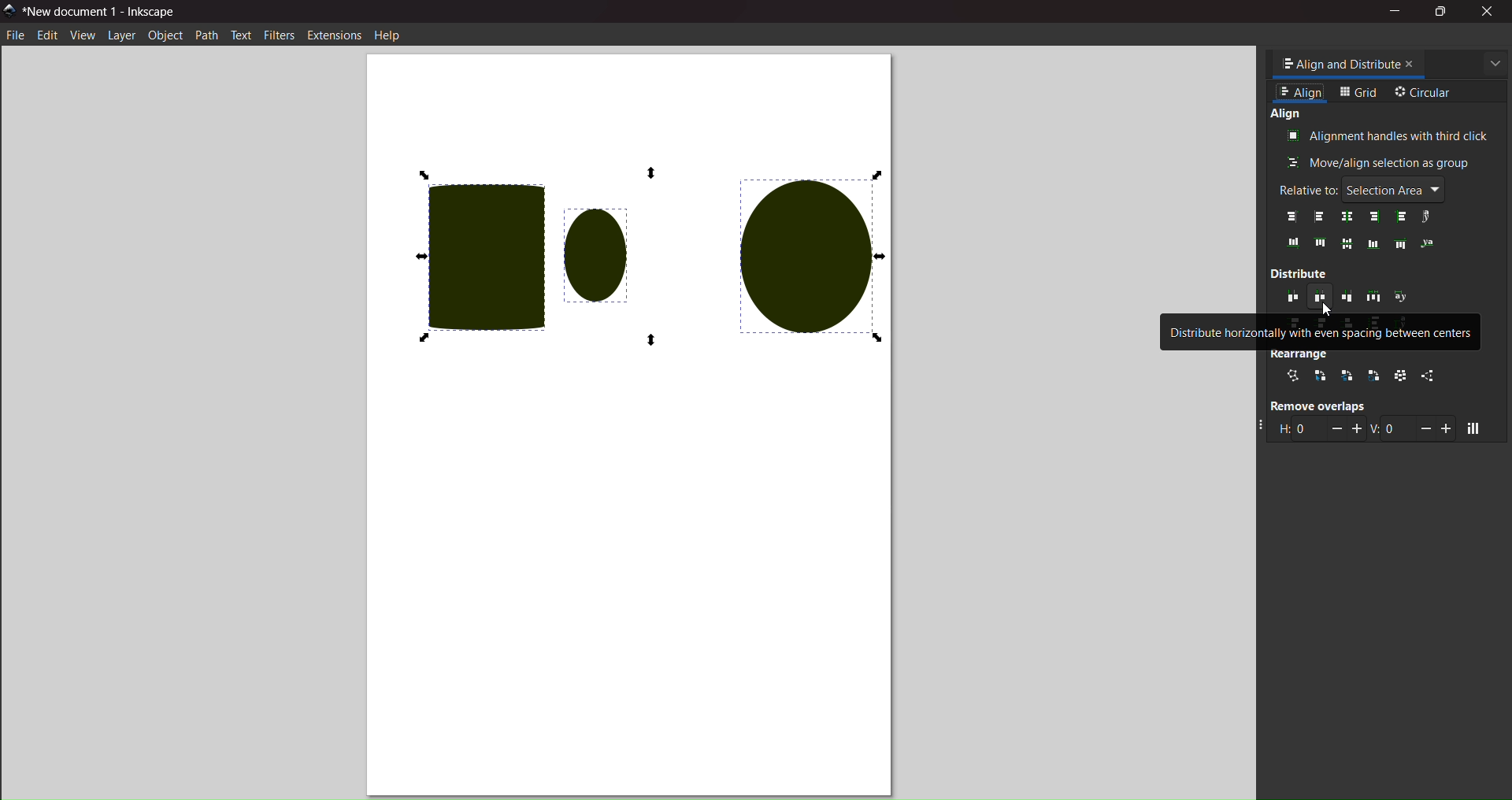 This screenshot has height=800, width=1512. I want to click on text, so click(241, 35).